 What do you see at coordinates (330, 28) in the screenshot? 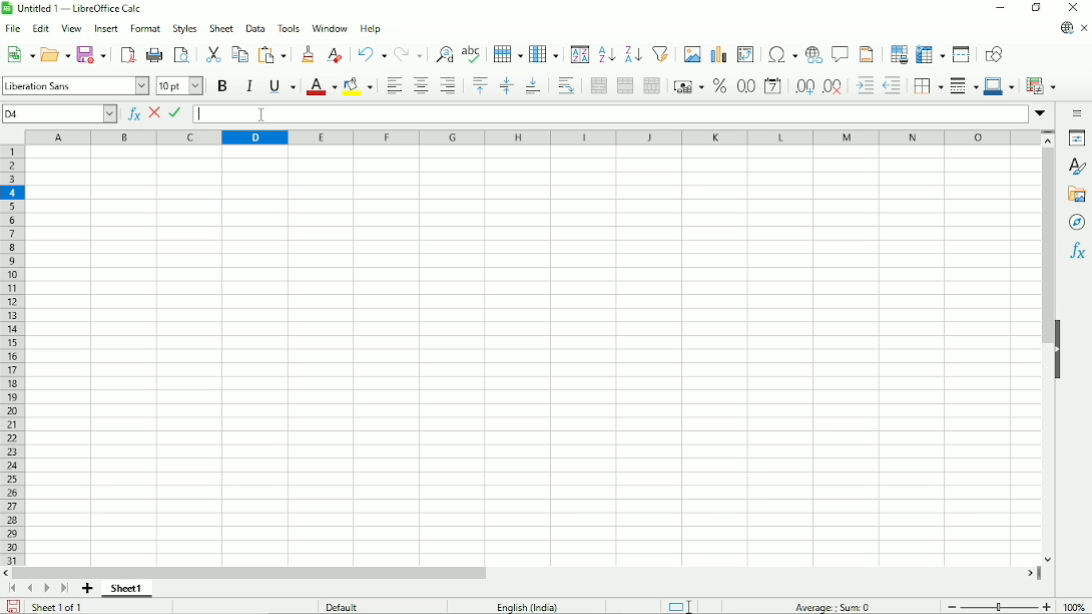
I see `Window` at bounding box center [330, 28].